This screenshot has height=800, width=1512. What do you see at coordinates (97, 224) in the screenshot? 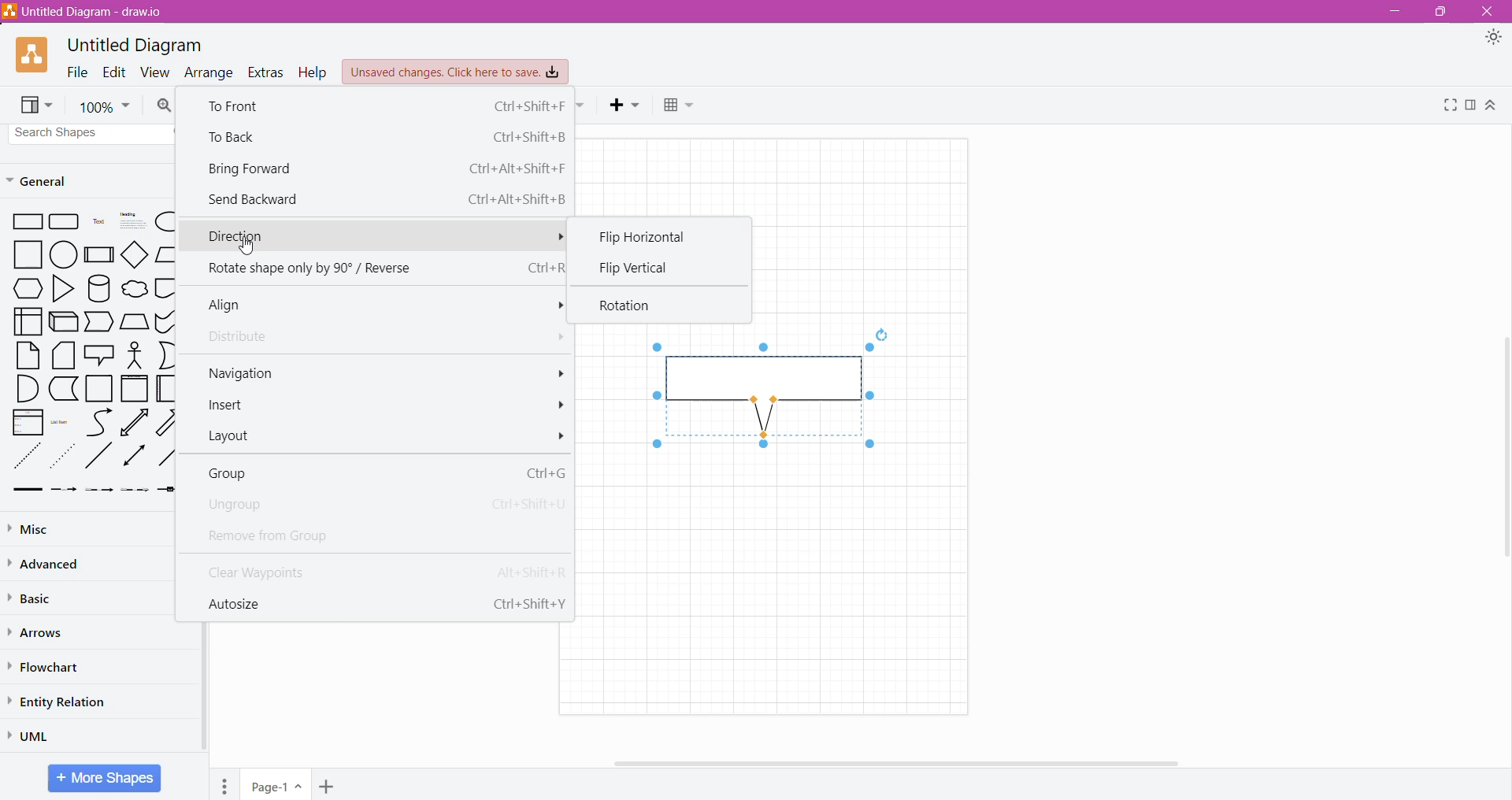
I see `Text (Label)` at bounding box center [97, 224].